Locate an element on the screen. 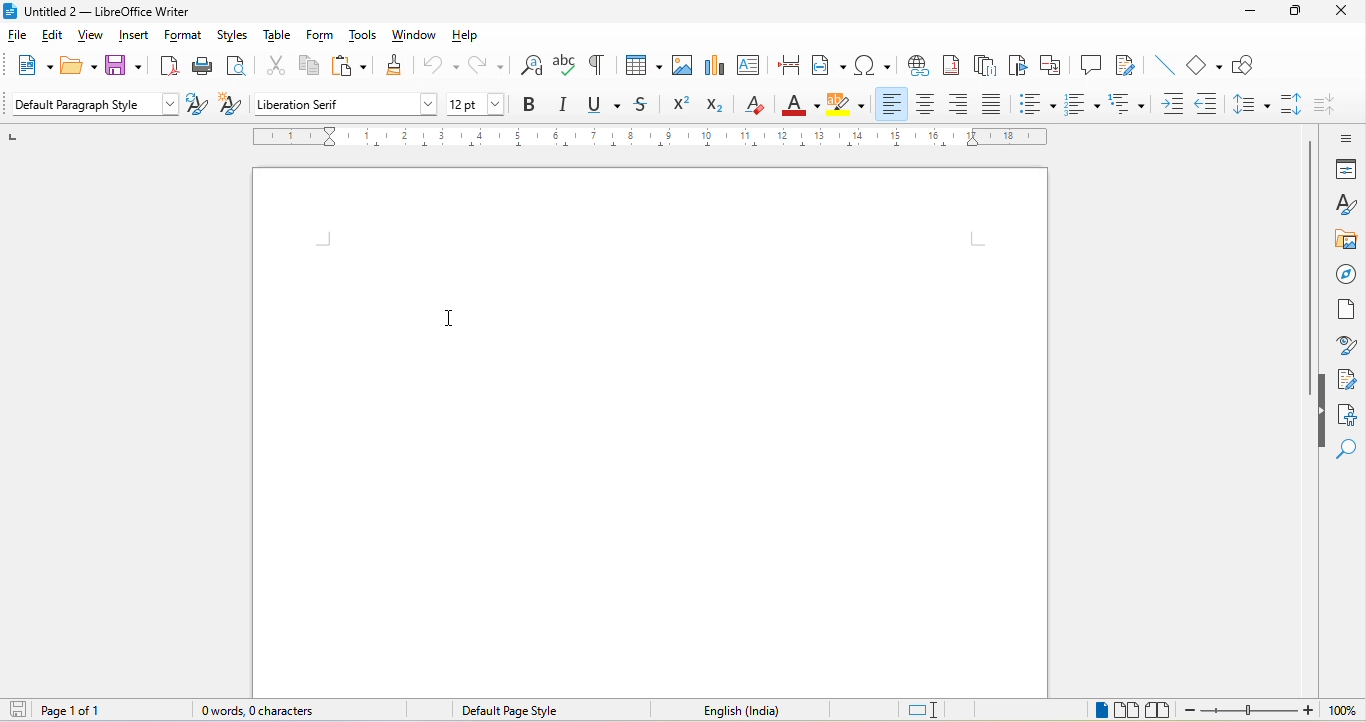  text box is located at coordinates (753, 65).